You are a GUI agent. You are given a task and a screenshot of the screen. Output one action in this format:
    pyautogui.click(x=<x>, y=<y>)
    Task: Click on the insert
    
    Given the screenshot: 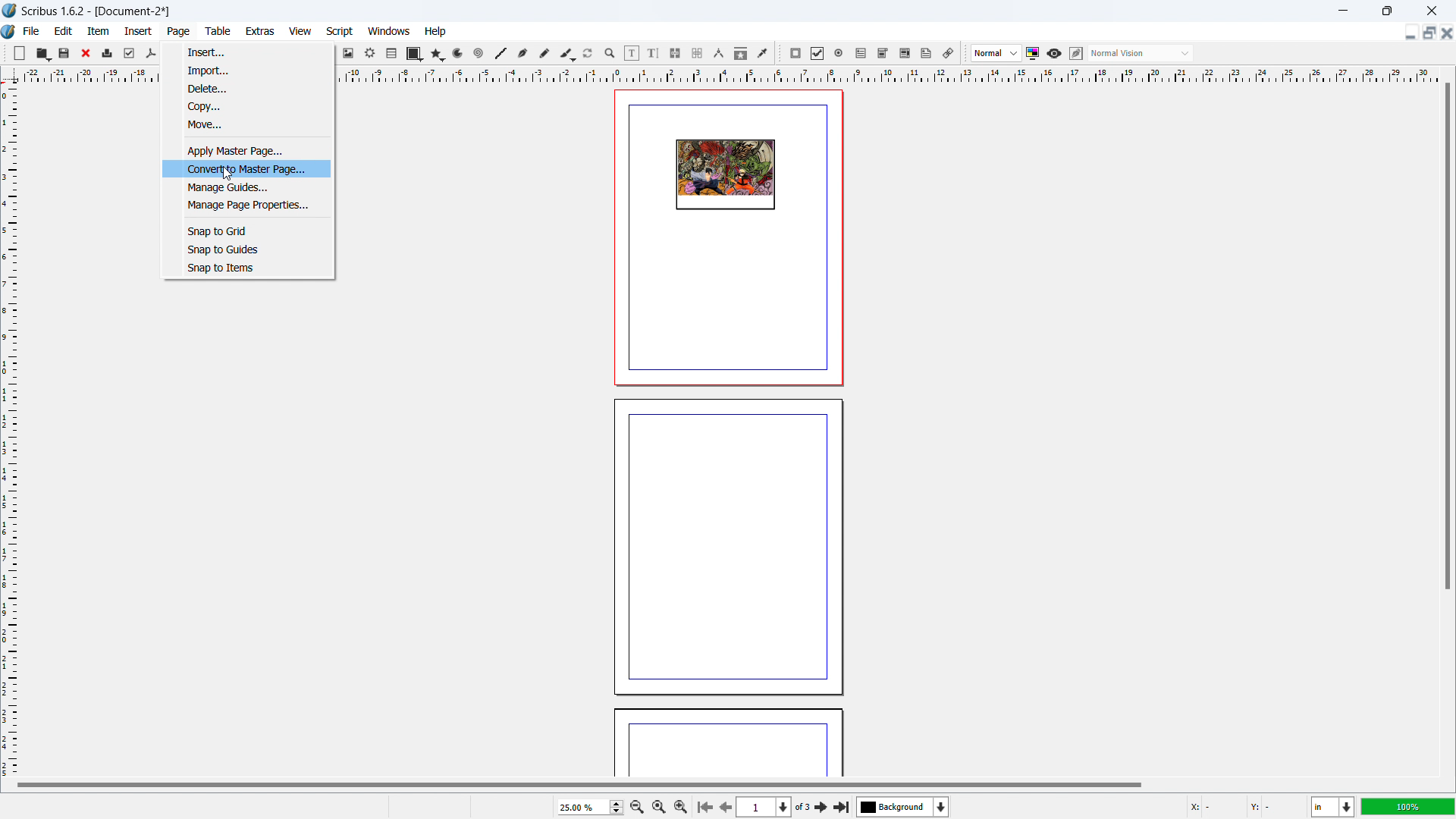 What is the action you would take?
    pyautogui.click(x=140, y=31)
    